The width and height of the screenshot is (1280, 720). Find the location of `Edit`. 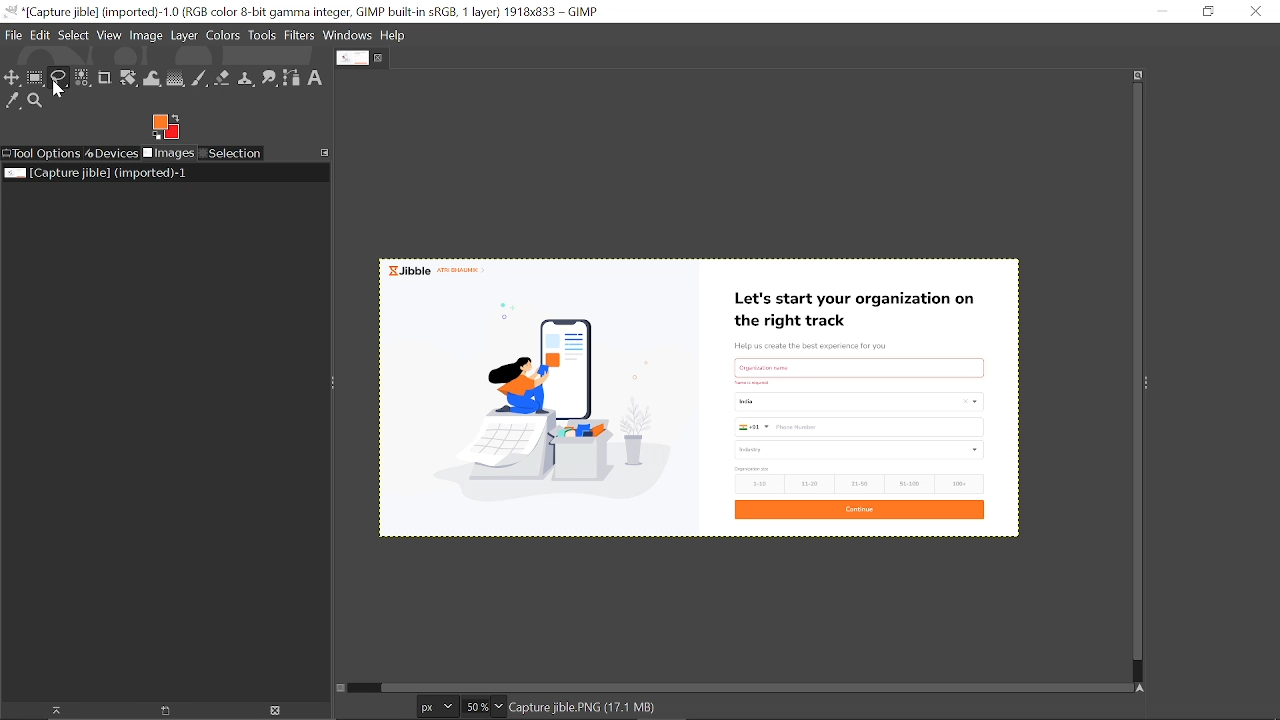

Edit is located at coordinates (42, 35).